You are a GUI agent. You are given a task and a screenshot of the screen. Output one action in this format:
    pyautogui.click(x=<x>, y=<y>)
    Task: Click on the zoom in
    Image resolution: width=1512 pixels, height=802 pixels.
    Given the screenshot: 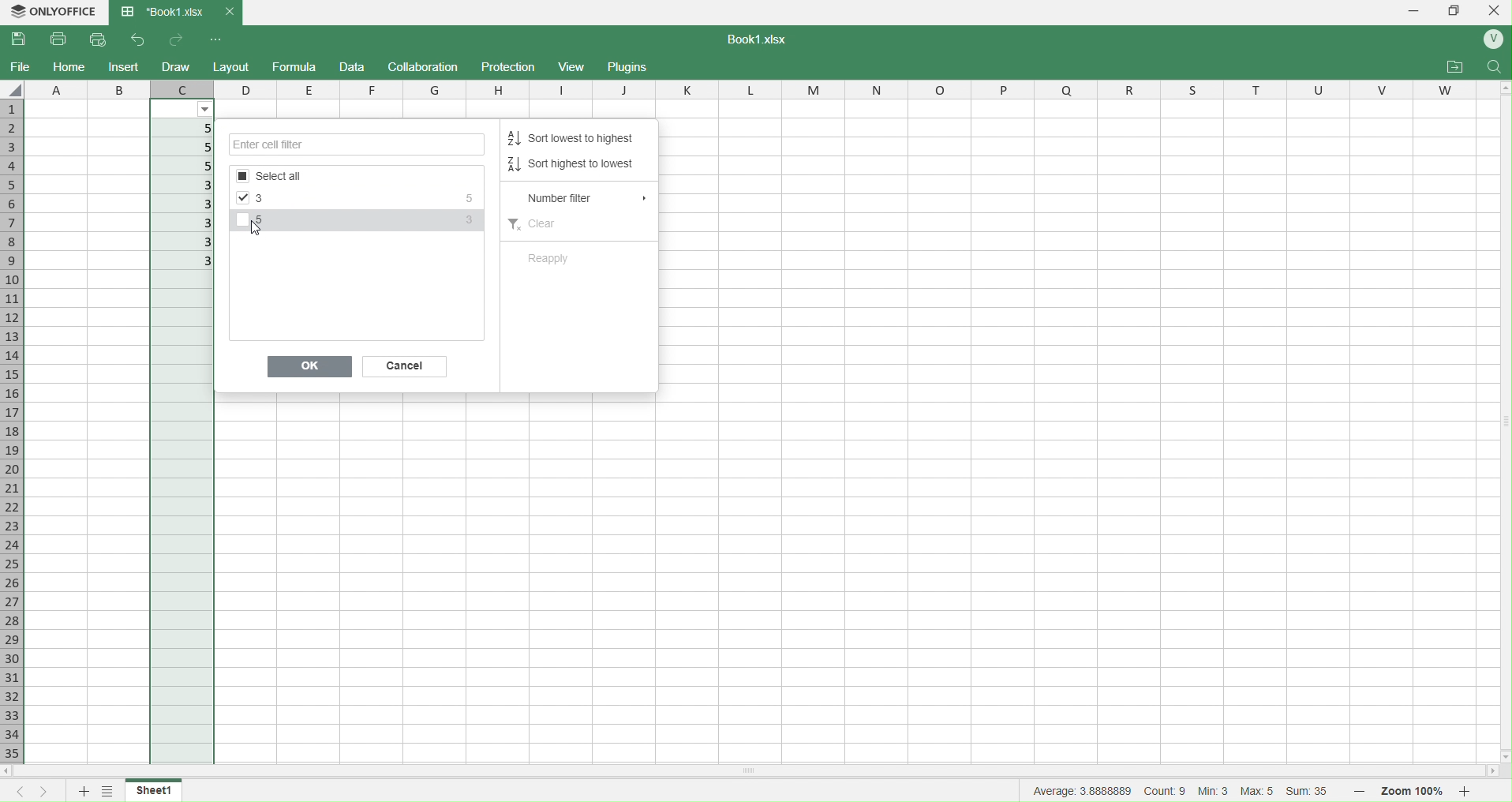 What is the action you would take?
    pyautogui.click(x=1465, y=791)
    